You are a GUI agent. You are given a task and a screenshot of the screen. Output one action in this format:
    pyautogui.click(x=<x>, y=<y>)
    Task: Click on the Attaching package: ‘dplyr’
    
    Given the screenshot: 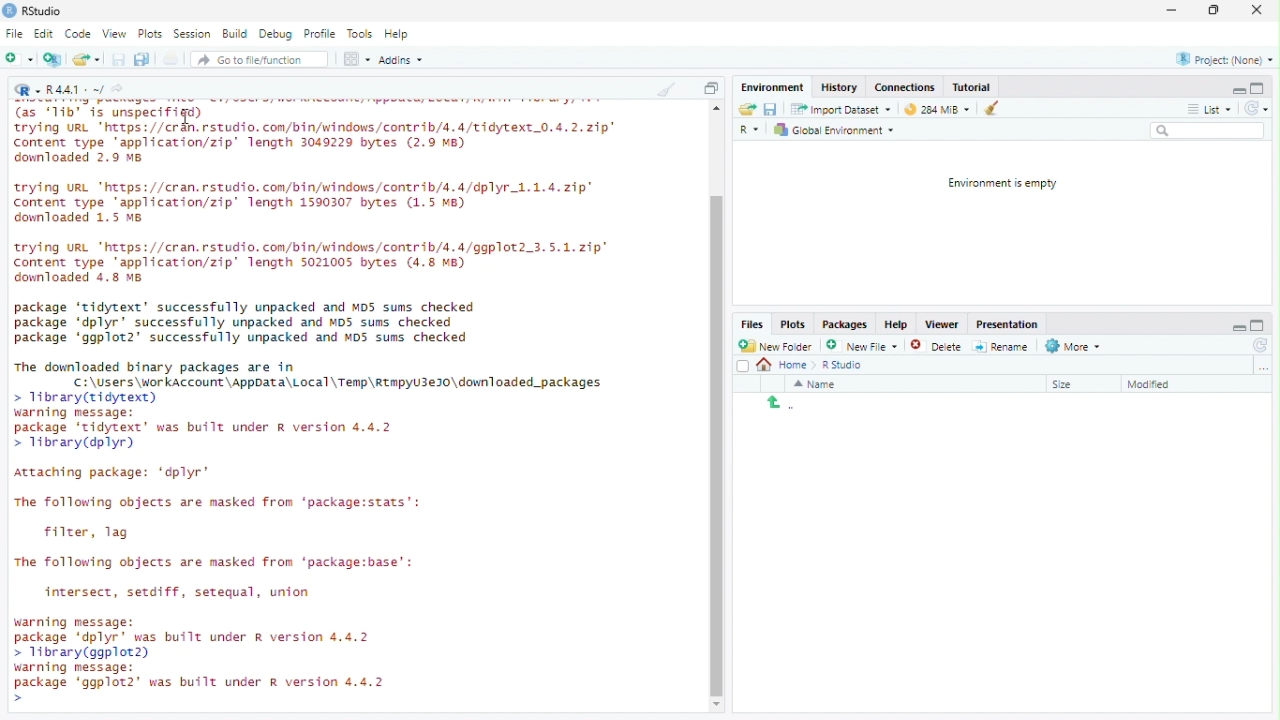 What is the action you would take?
    pyautogui.click(x=113, y=474)
    